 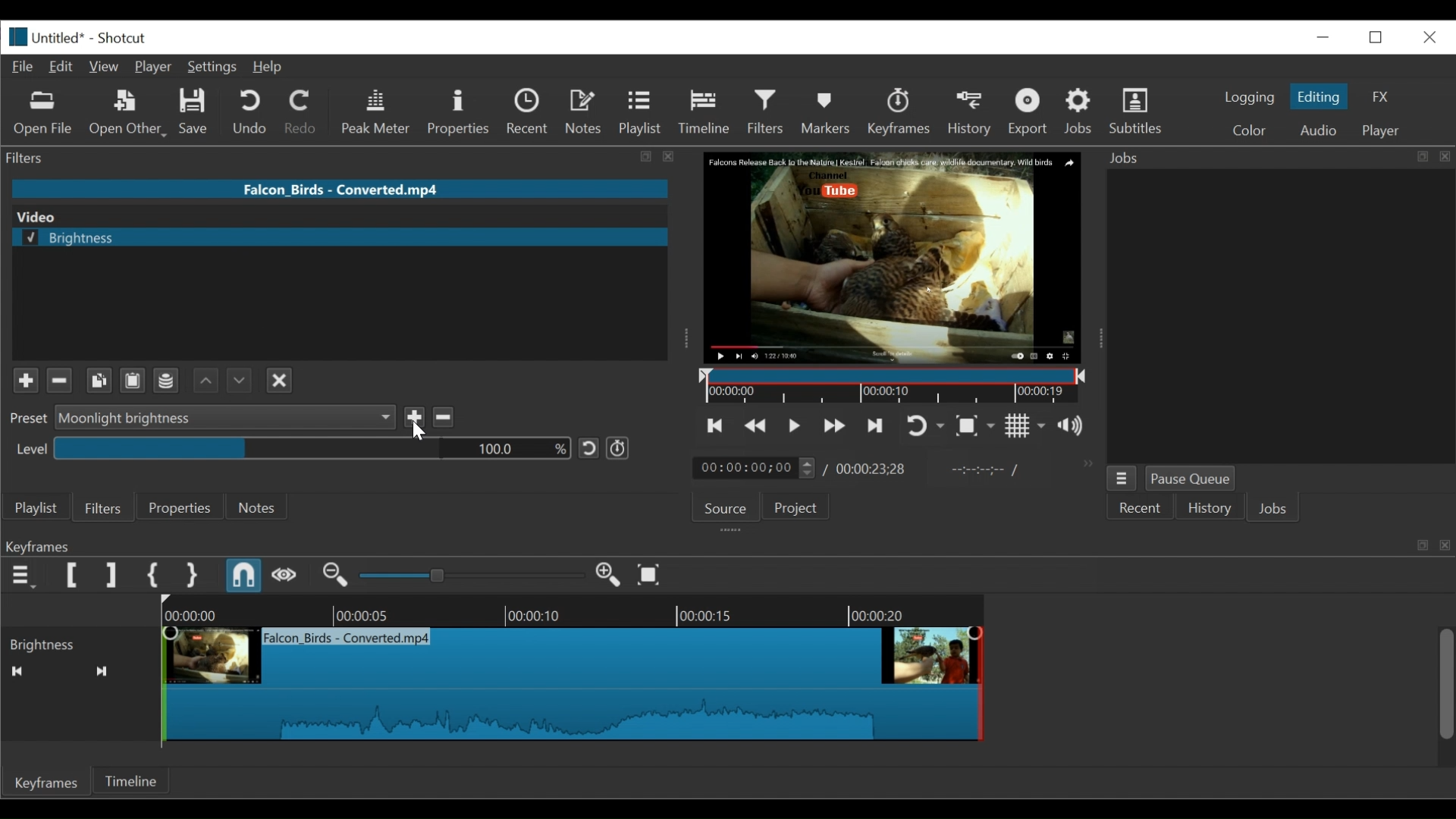 I want to click on Restore, so click(x=1325, y=35).